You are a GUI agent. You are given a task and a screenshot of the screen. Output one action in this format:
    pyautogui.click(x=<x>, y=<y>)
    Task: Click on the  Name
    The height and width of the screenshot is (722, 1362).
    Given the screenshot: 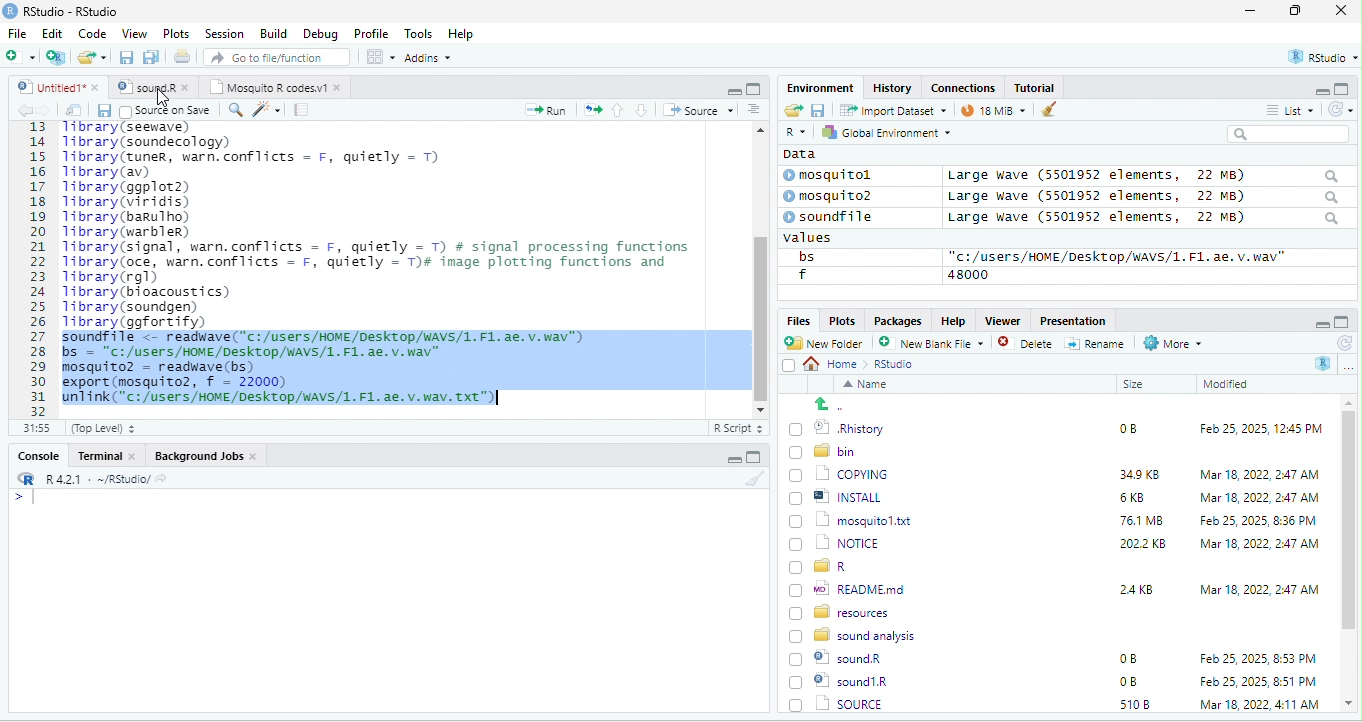 What is the action you would take?
    pyautogui.click(x=869, y=386)
    